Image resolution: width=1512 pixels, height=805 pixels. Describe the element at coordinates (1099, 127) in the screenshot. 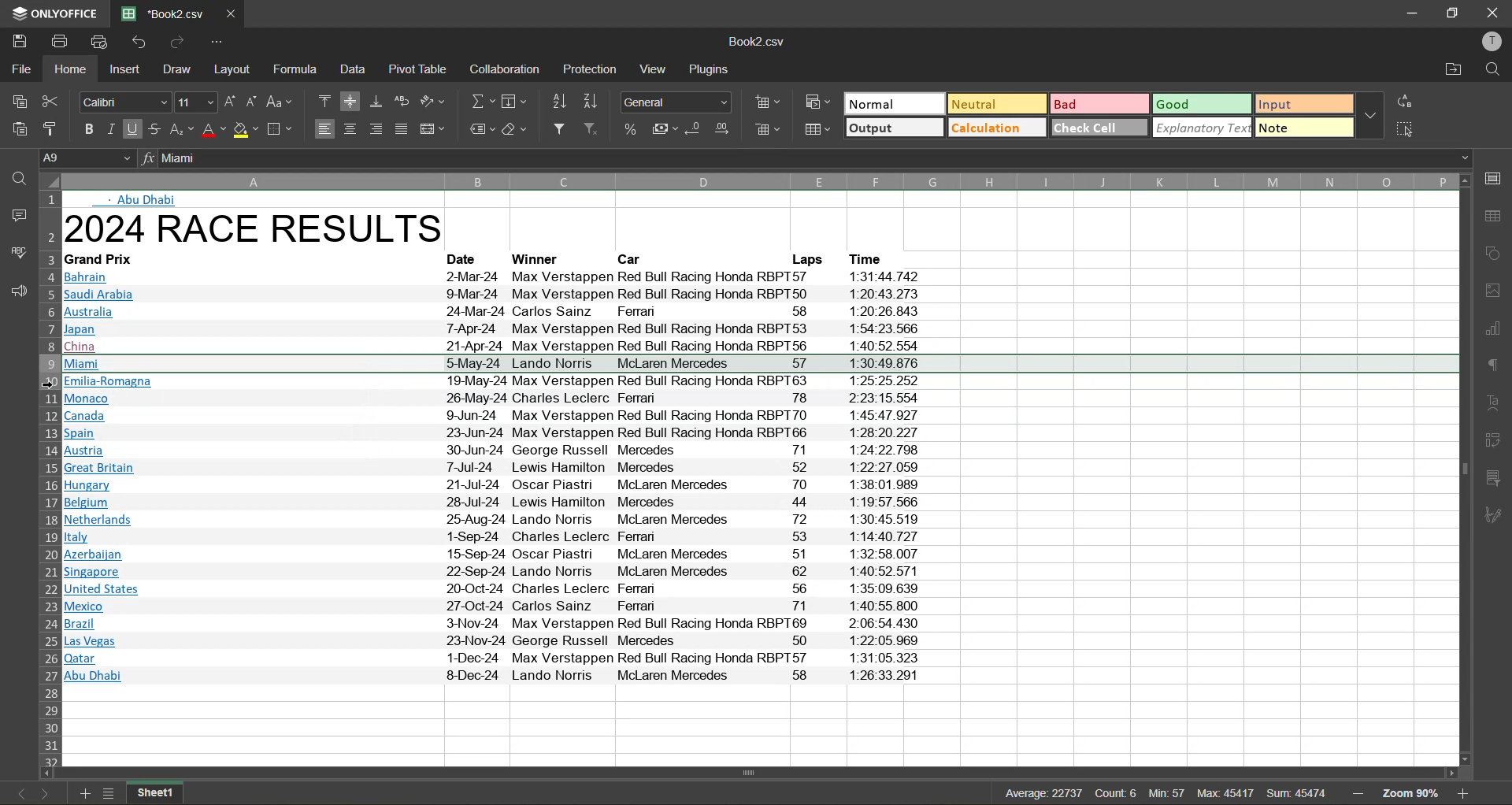

I see `check cell` at that location.